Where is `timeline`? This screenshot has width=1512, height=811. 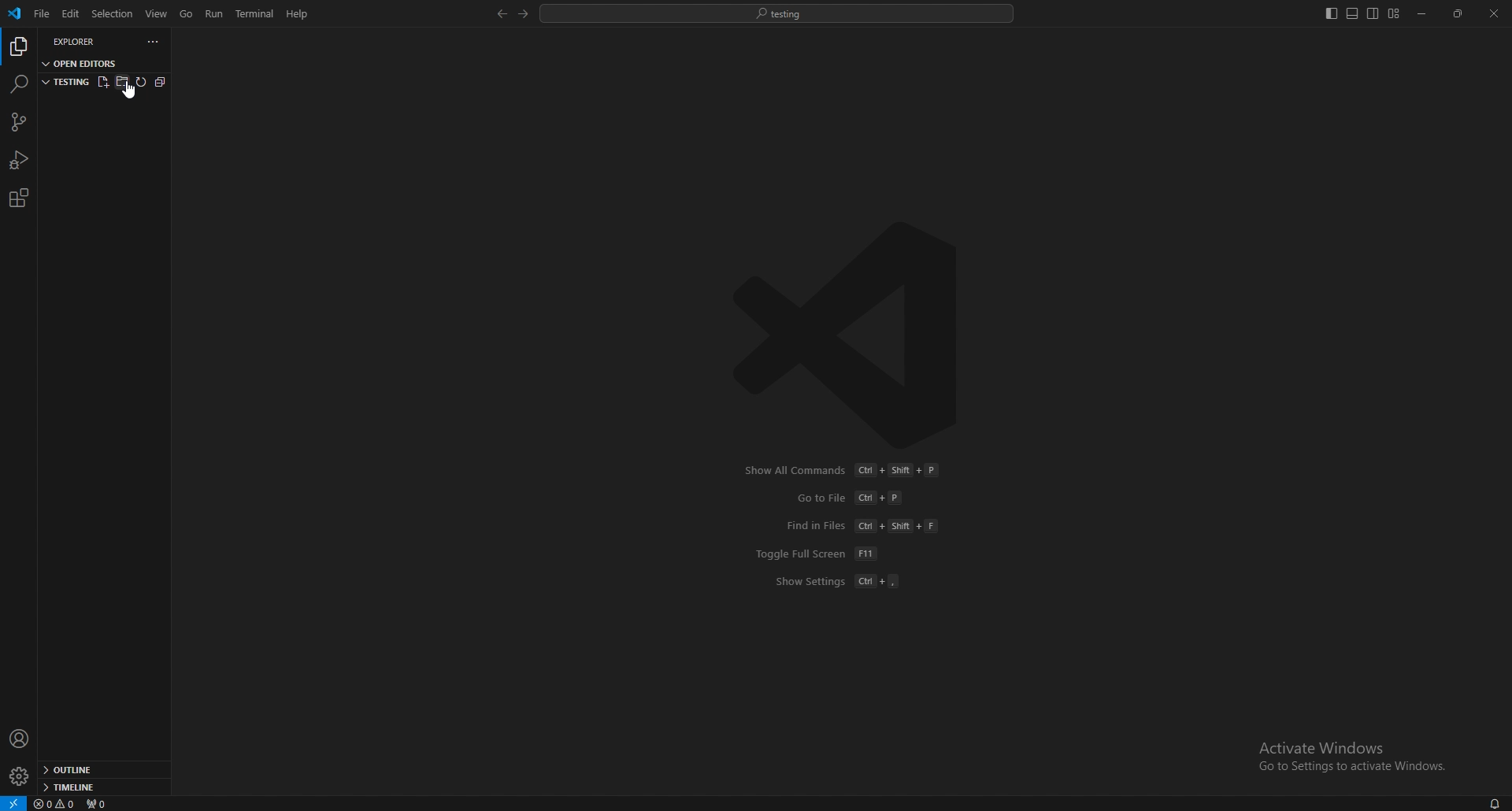
timeline is located at coordinates (99, 787).